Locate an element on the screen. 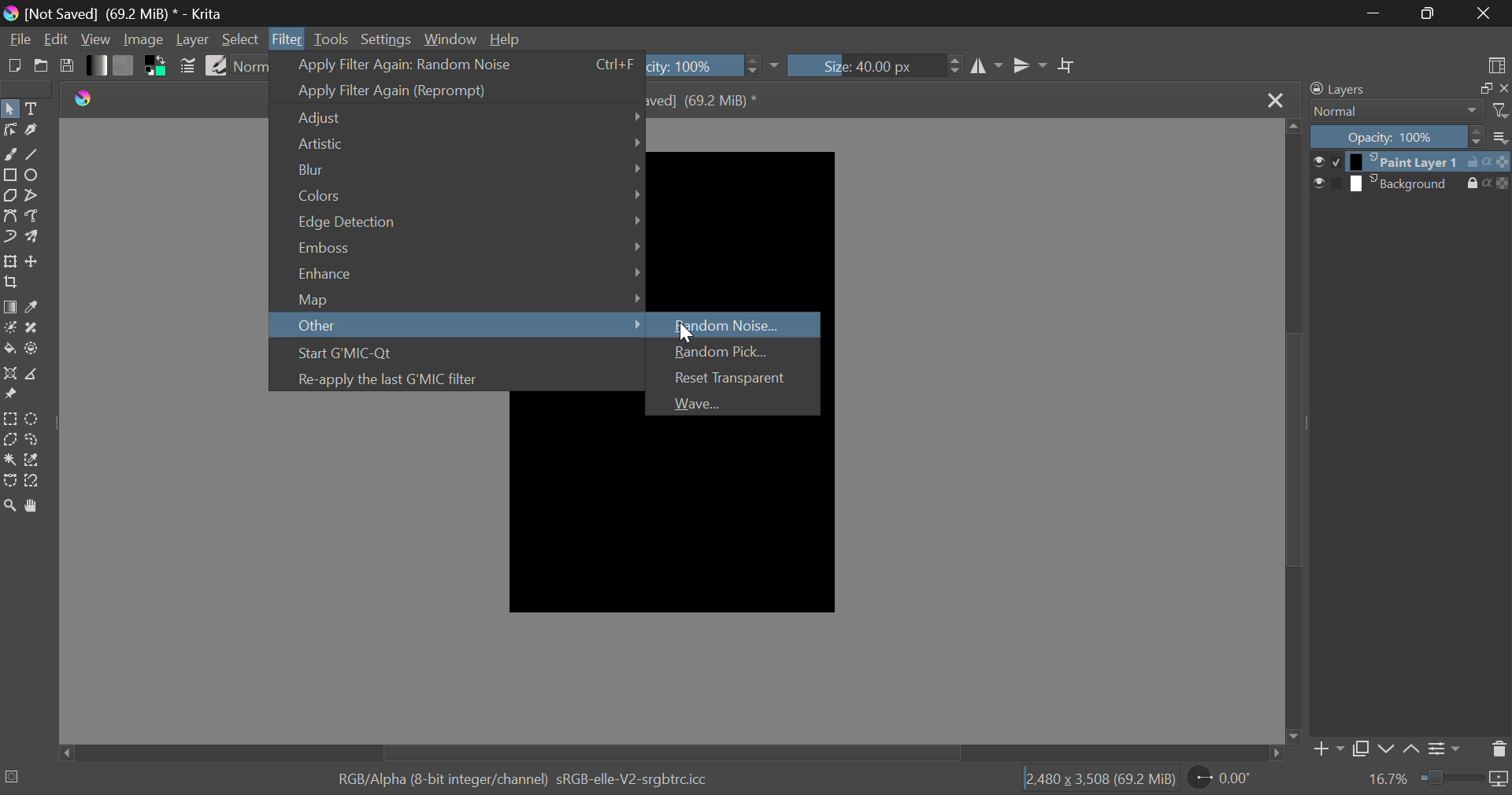 The height and width of the screenshot is (795, 1512). Scroll Bar is located at coordinates (668, 753).